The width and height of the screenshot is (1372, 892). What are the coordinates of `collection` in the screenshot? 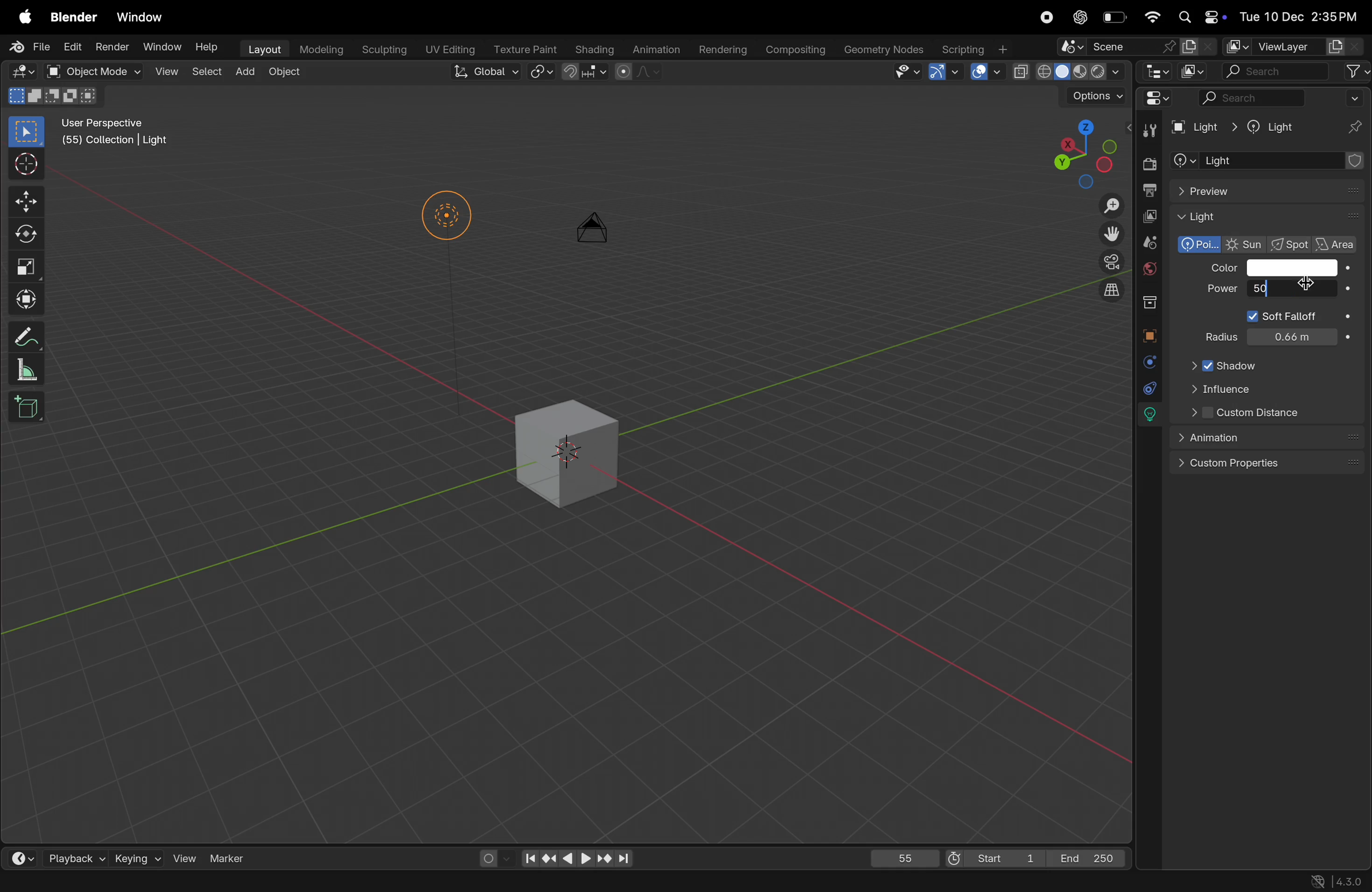 It's located at (1154, 302).